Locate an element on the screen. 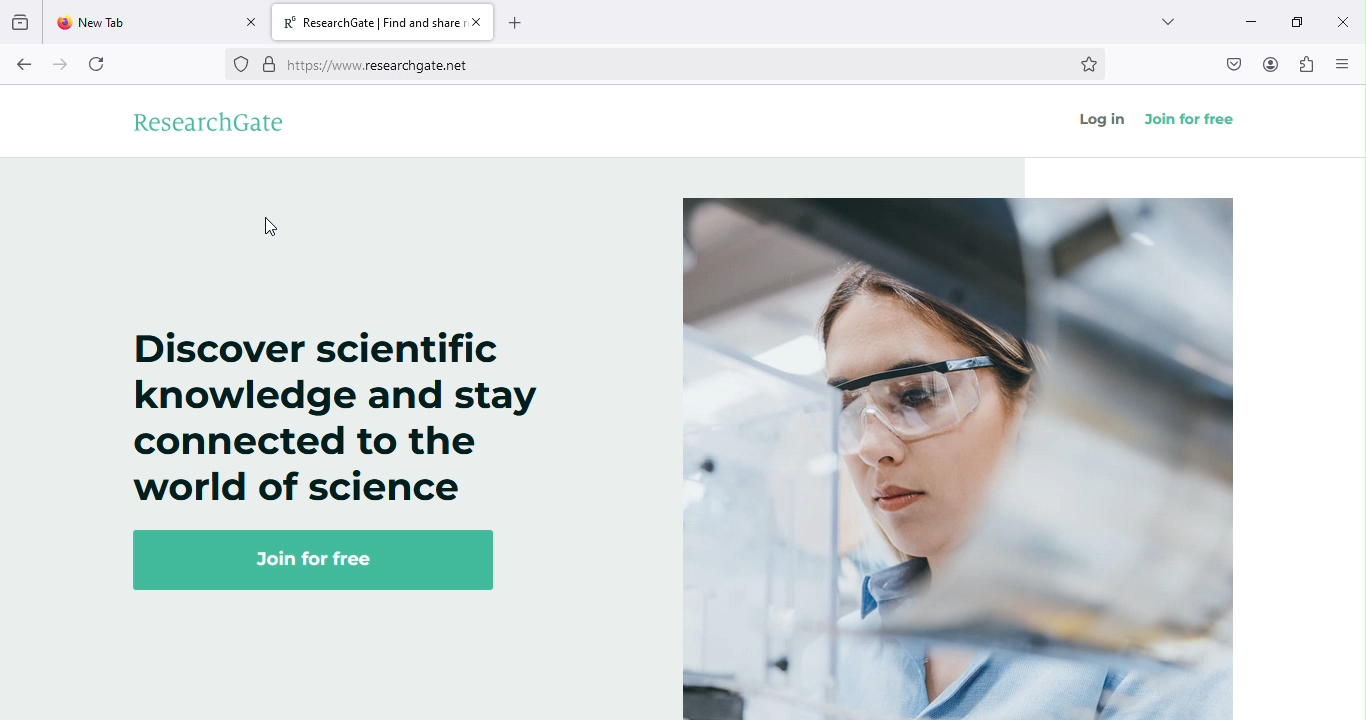 This screenshot has height=720, width=1366. refresh is located at coordinates (103, 65).